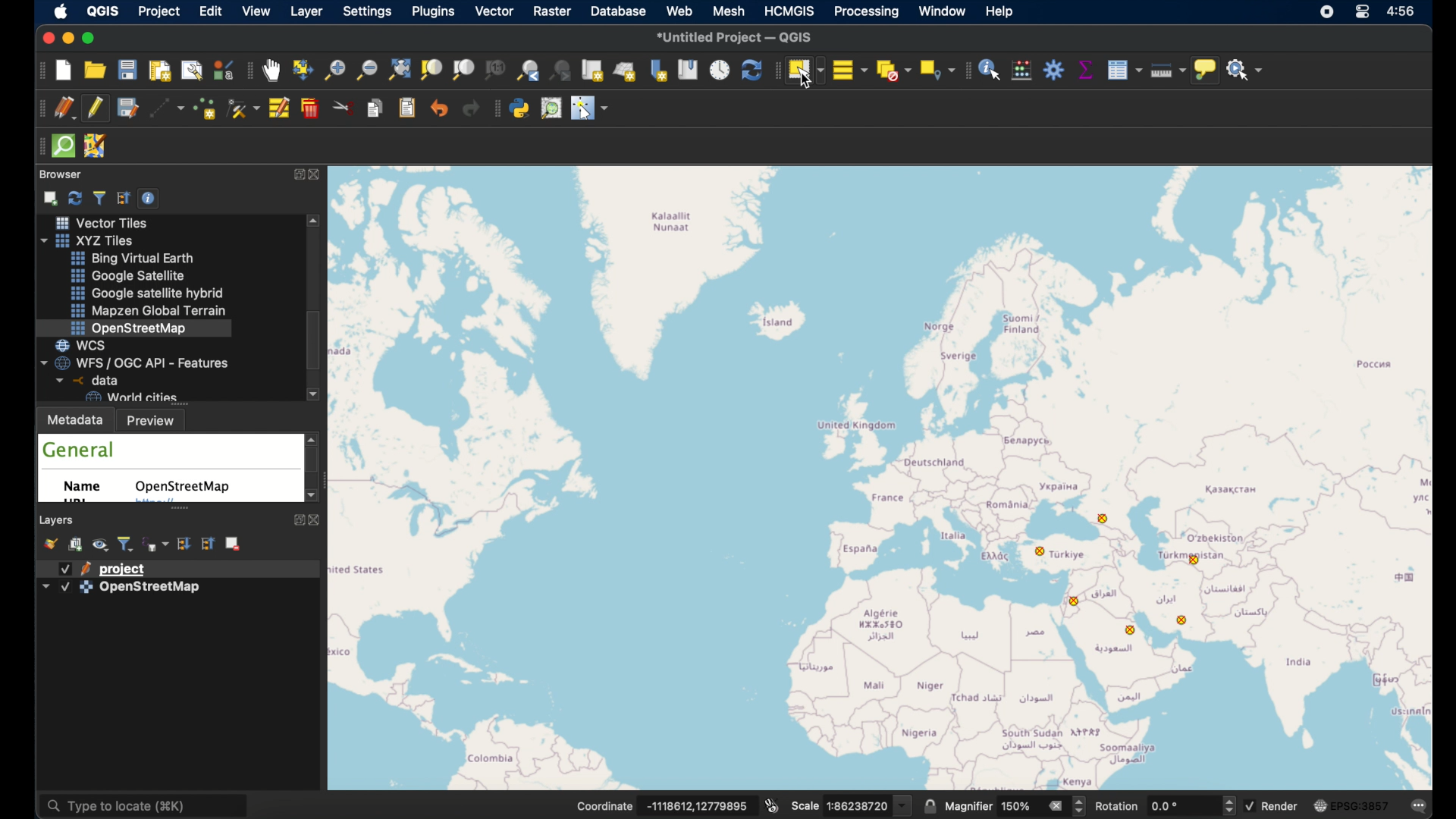 The height and width of the screenshot is (819, 1456). Describe the element at coordinates (45, 585) in the screenshot. I see `dropdown` at that location.